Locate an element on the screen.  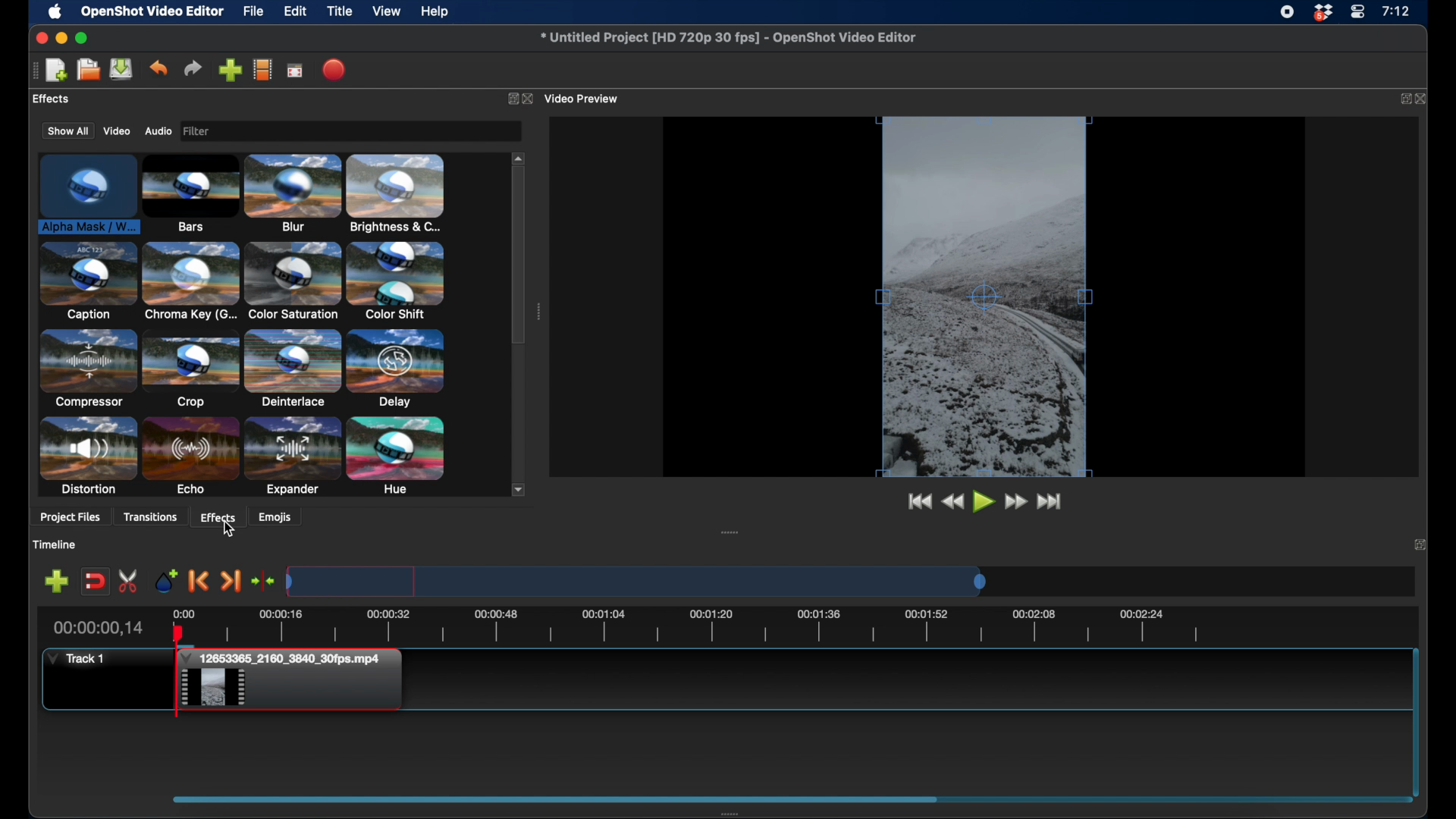
minimize is located at coordinates (61, 39).